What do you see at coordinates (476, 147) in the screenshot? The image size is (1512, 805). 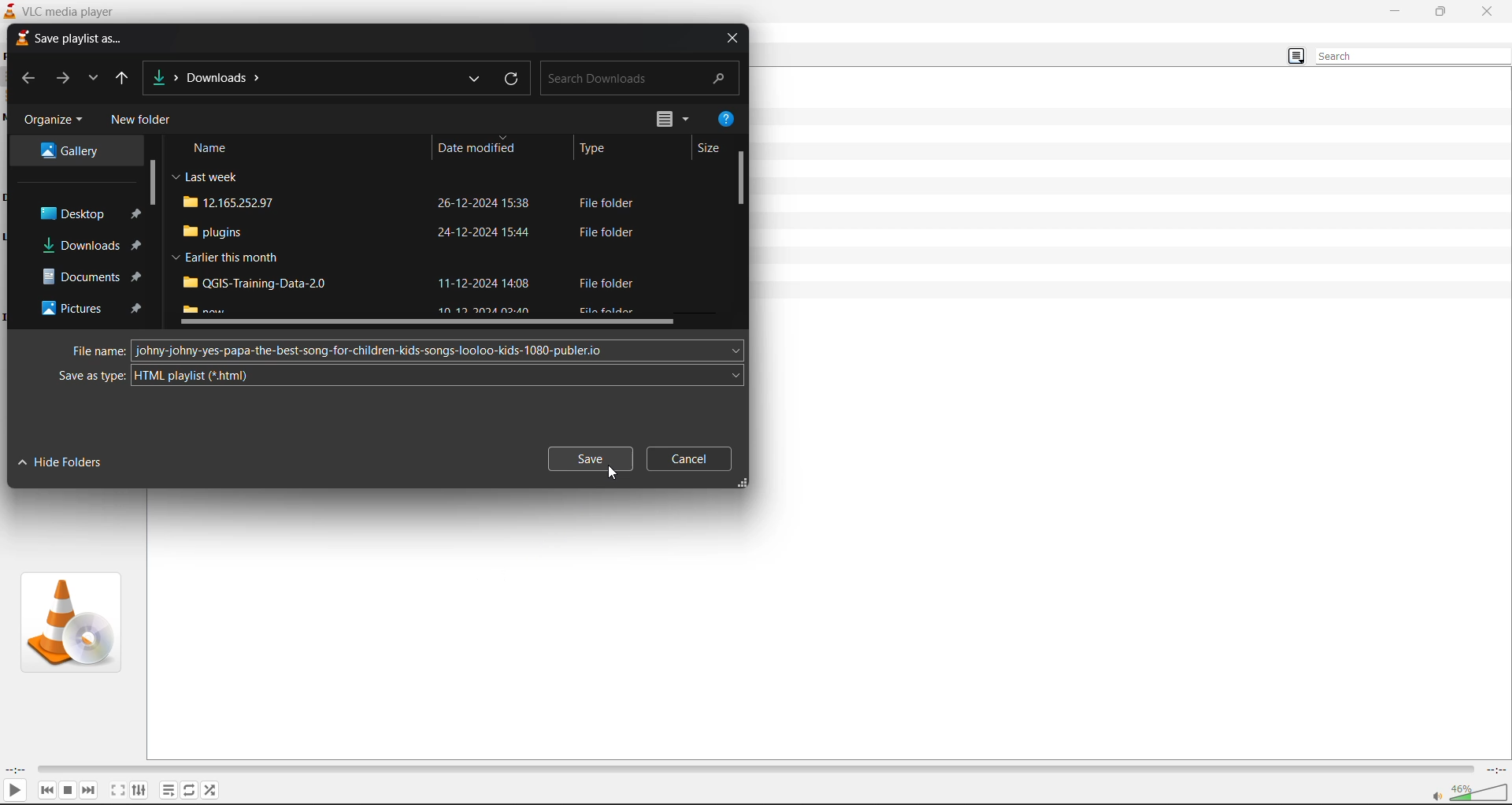 I see `date modified` at bounding box center [476, 147].